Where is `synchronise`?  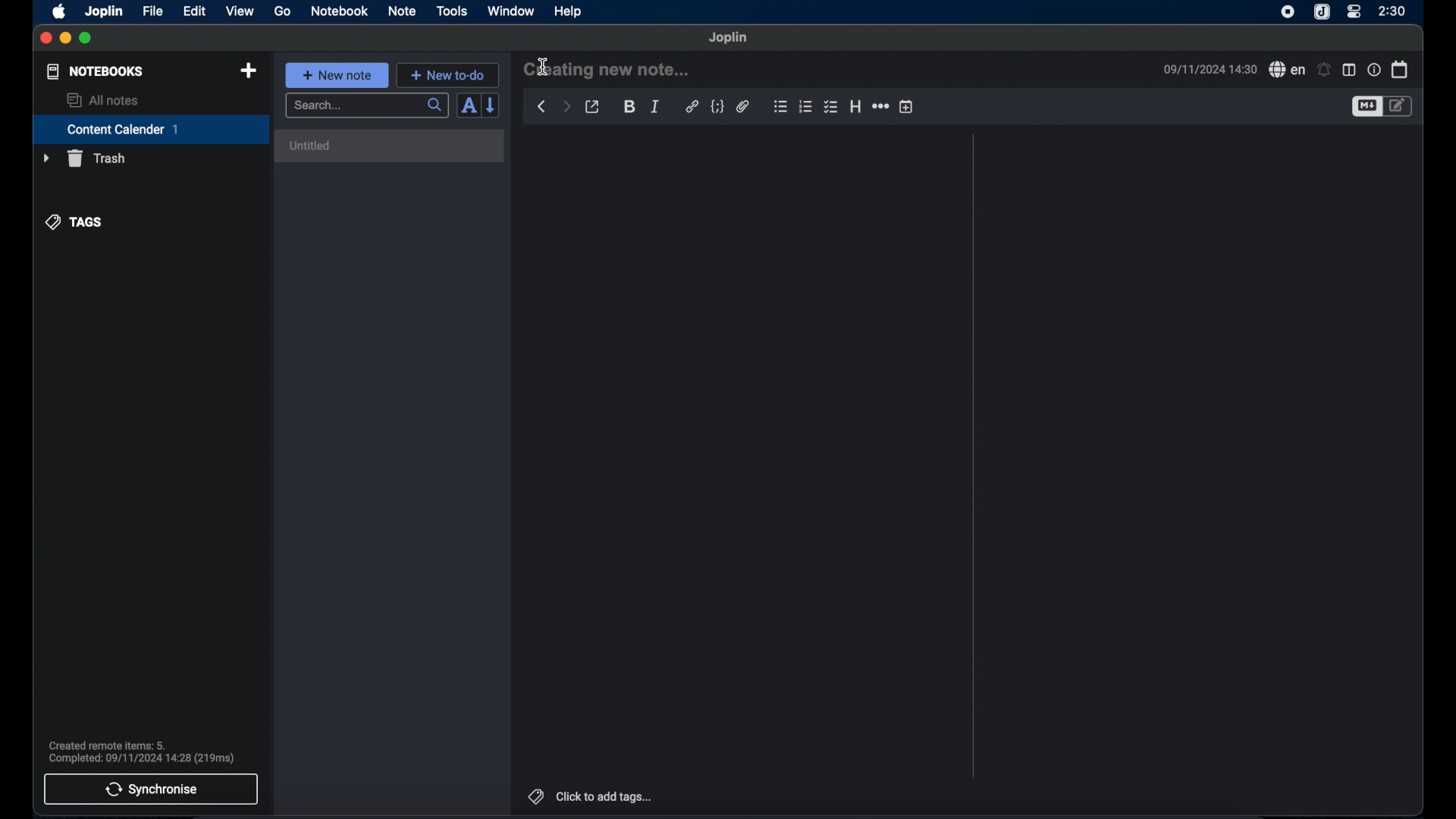 synchronise is located at coordinates (151, 789).